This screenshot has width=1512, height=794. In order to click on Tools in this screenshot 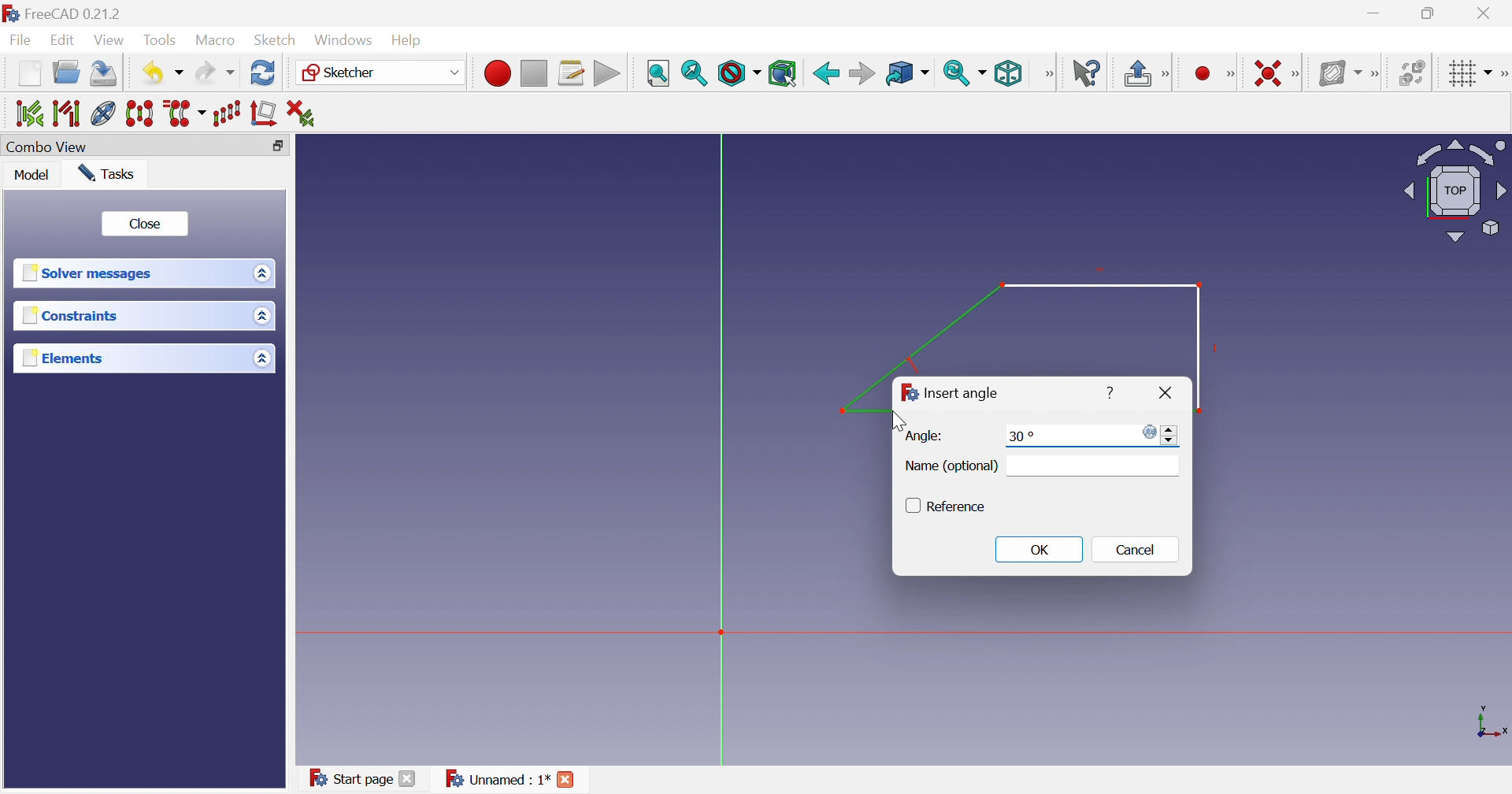, I will do `click(162, 39)`.